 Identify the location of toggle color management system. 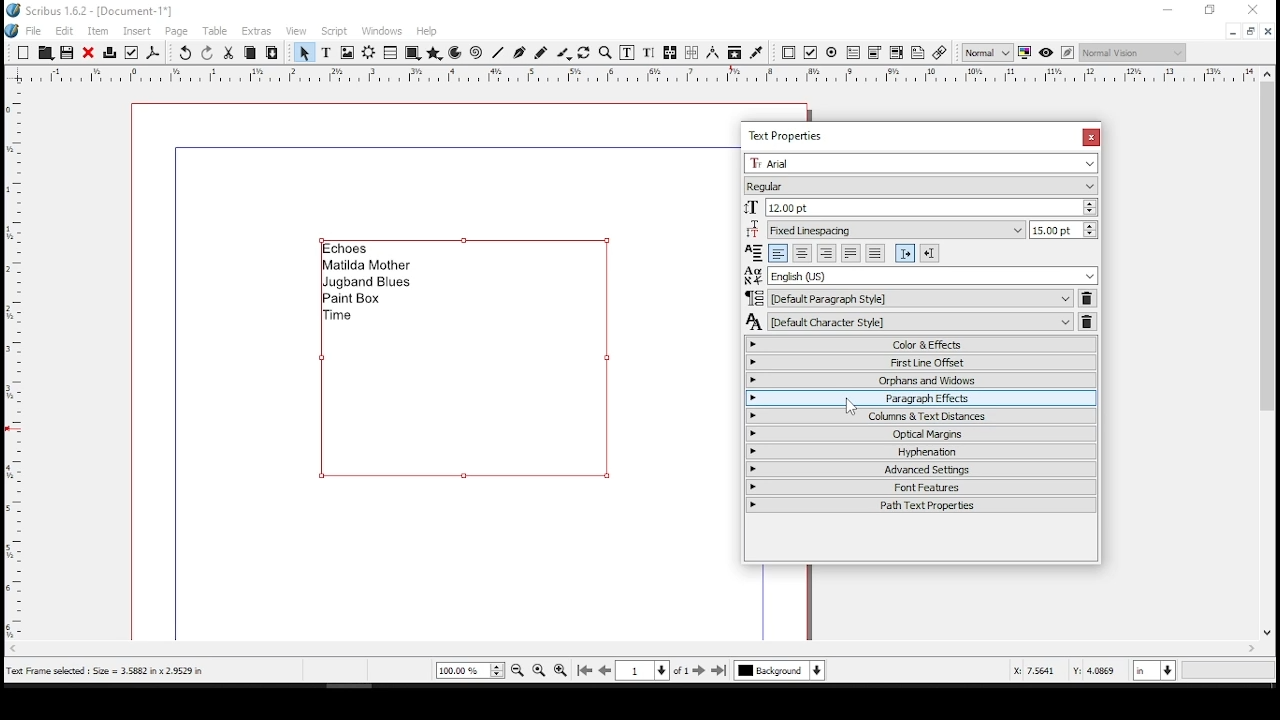
(1024, 54).